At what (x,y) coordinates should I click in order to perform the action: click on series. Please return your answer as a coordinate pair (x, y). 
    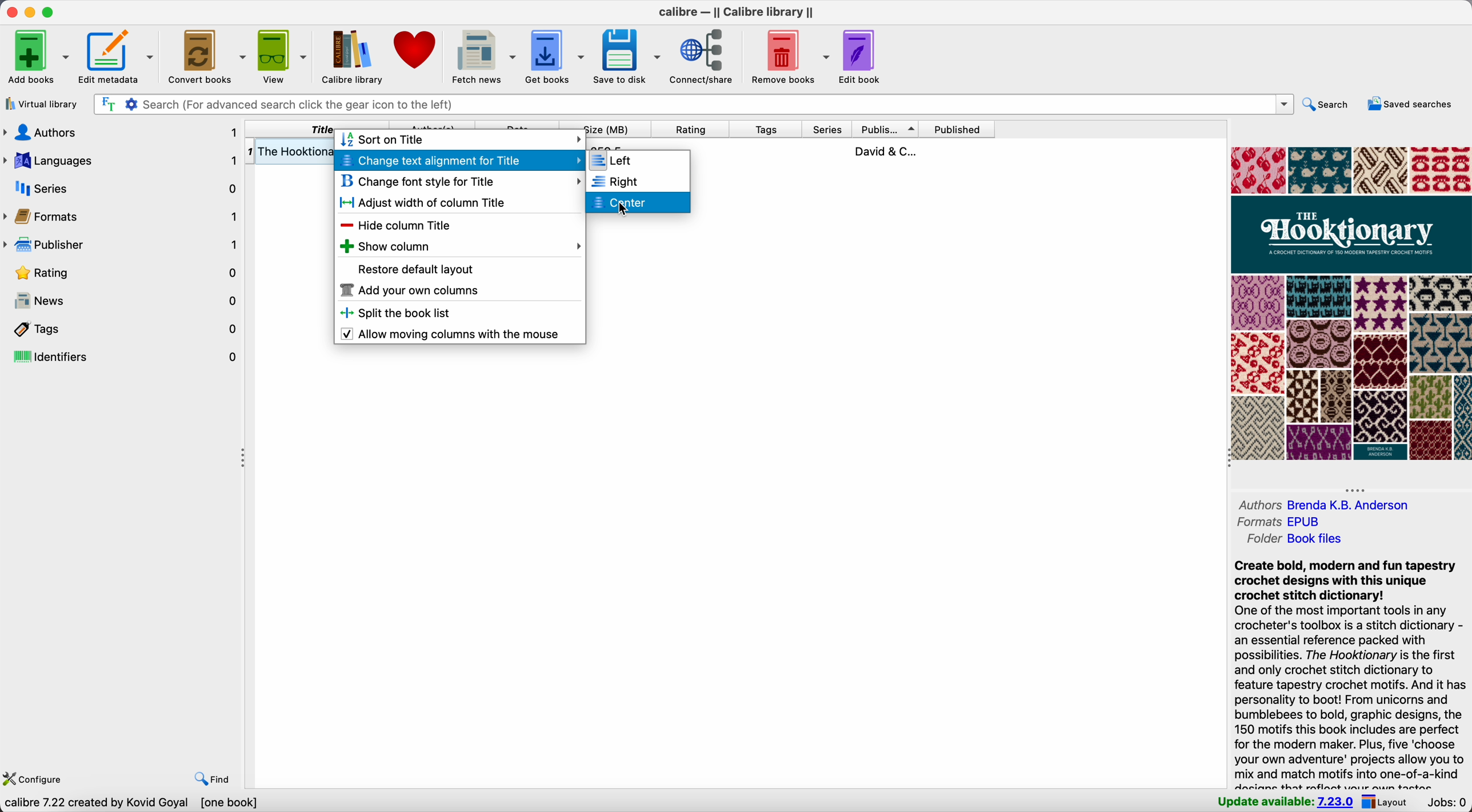
    Looking at the image, I should click on (829, 128).